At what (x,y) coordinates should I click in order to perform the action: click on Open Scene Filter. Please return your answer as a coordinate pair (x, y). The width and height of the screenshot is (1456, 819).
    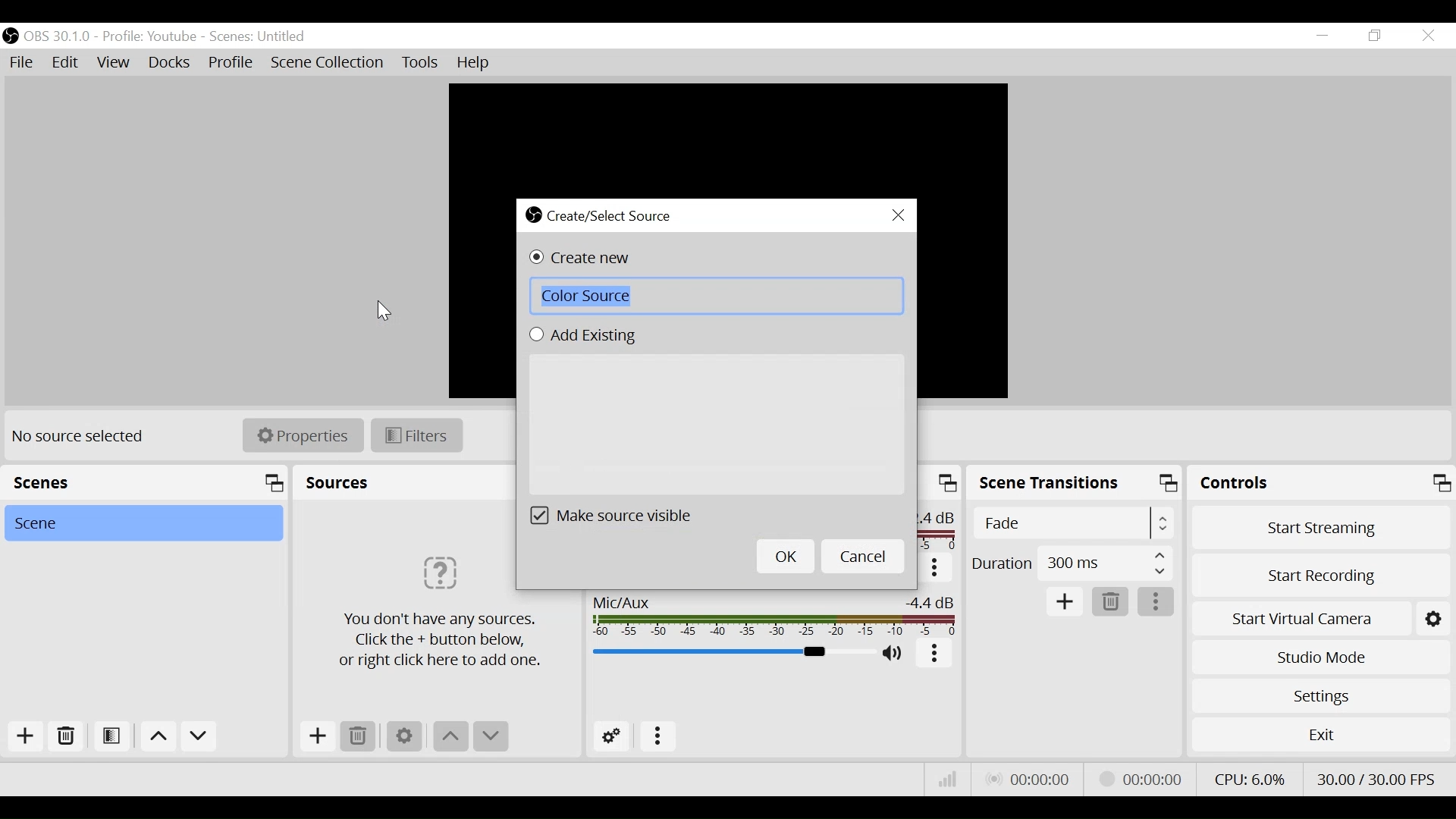
    Looking at the image, I should click on (110, 734).